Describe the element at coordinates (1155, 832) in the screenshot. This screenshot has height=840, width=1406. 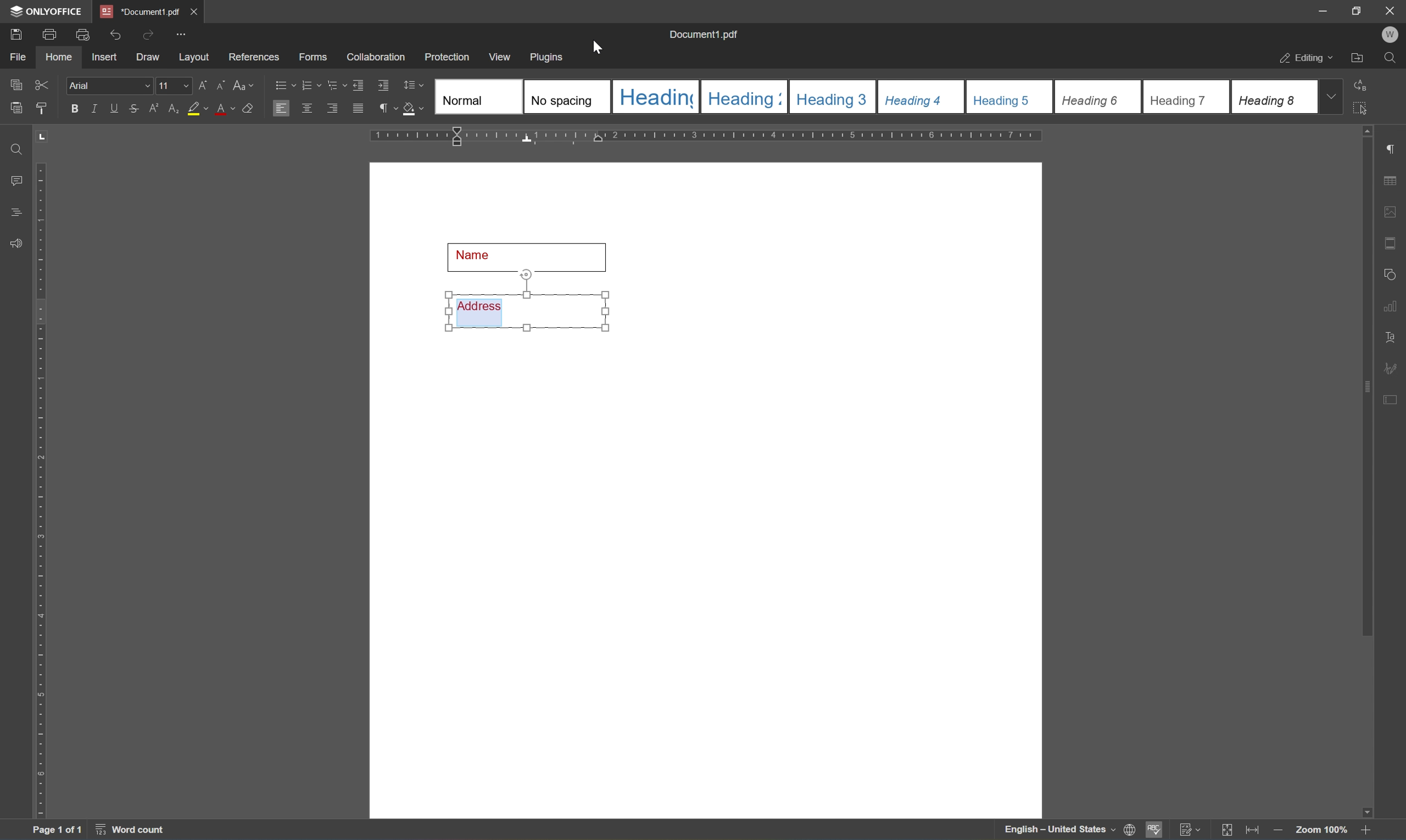
I see `spell checking` at that location.